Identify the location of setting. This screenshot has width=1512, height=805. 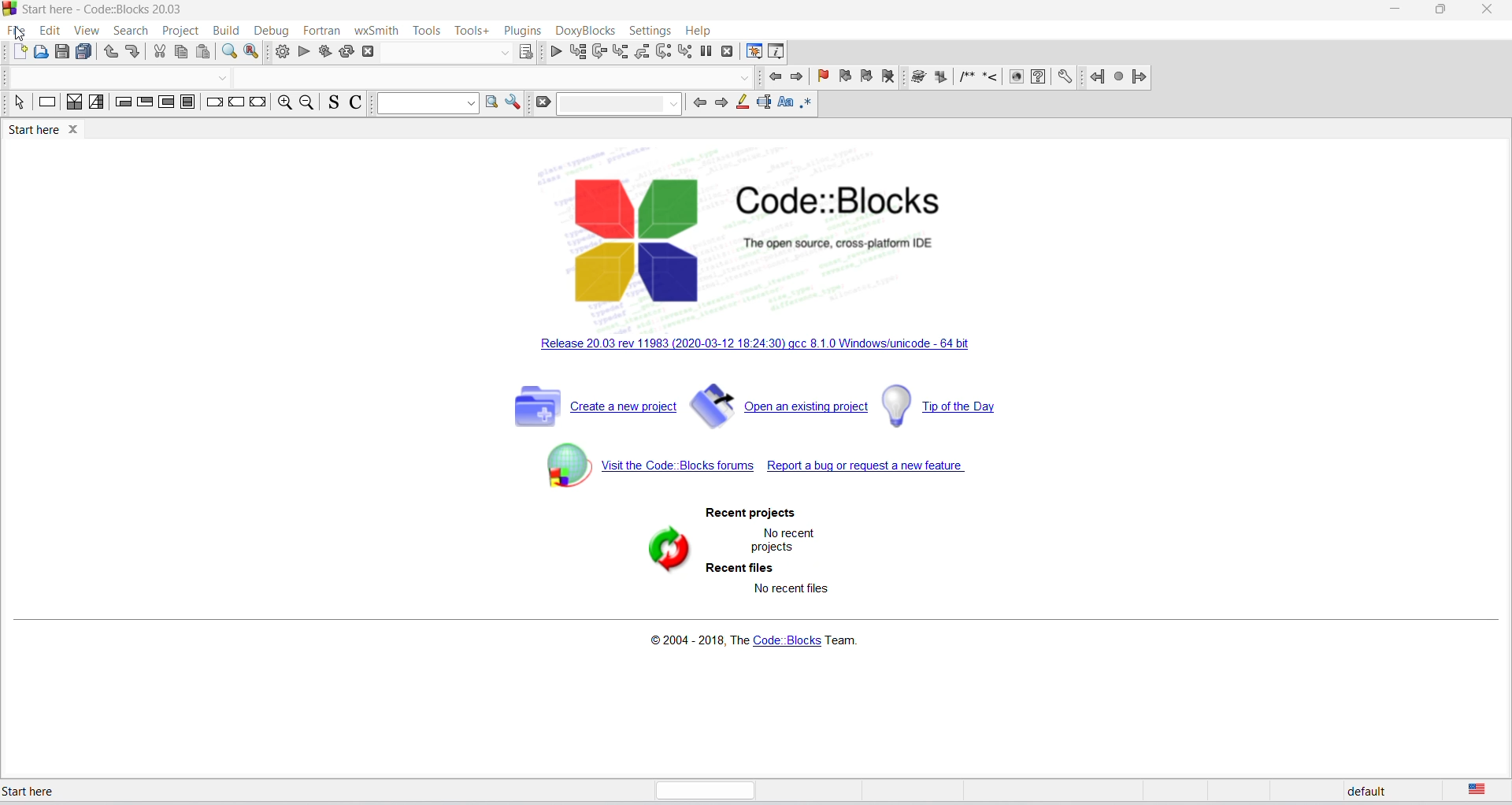
(1067, 80).